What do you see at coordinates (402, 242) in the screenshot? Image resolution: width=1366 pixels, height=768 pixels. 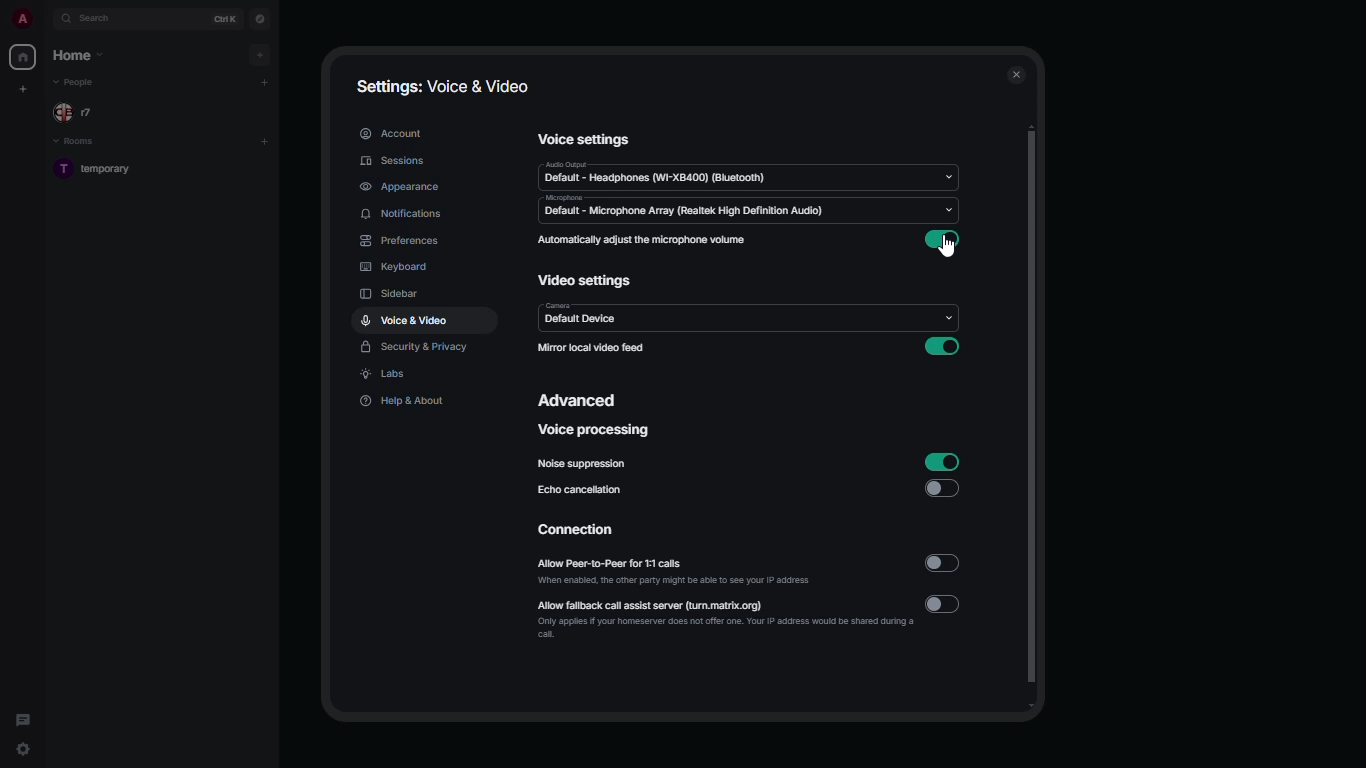 I see `preferences` at bounding box center [402, 242].